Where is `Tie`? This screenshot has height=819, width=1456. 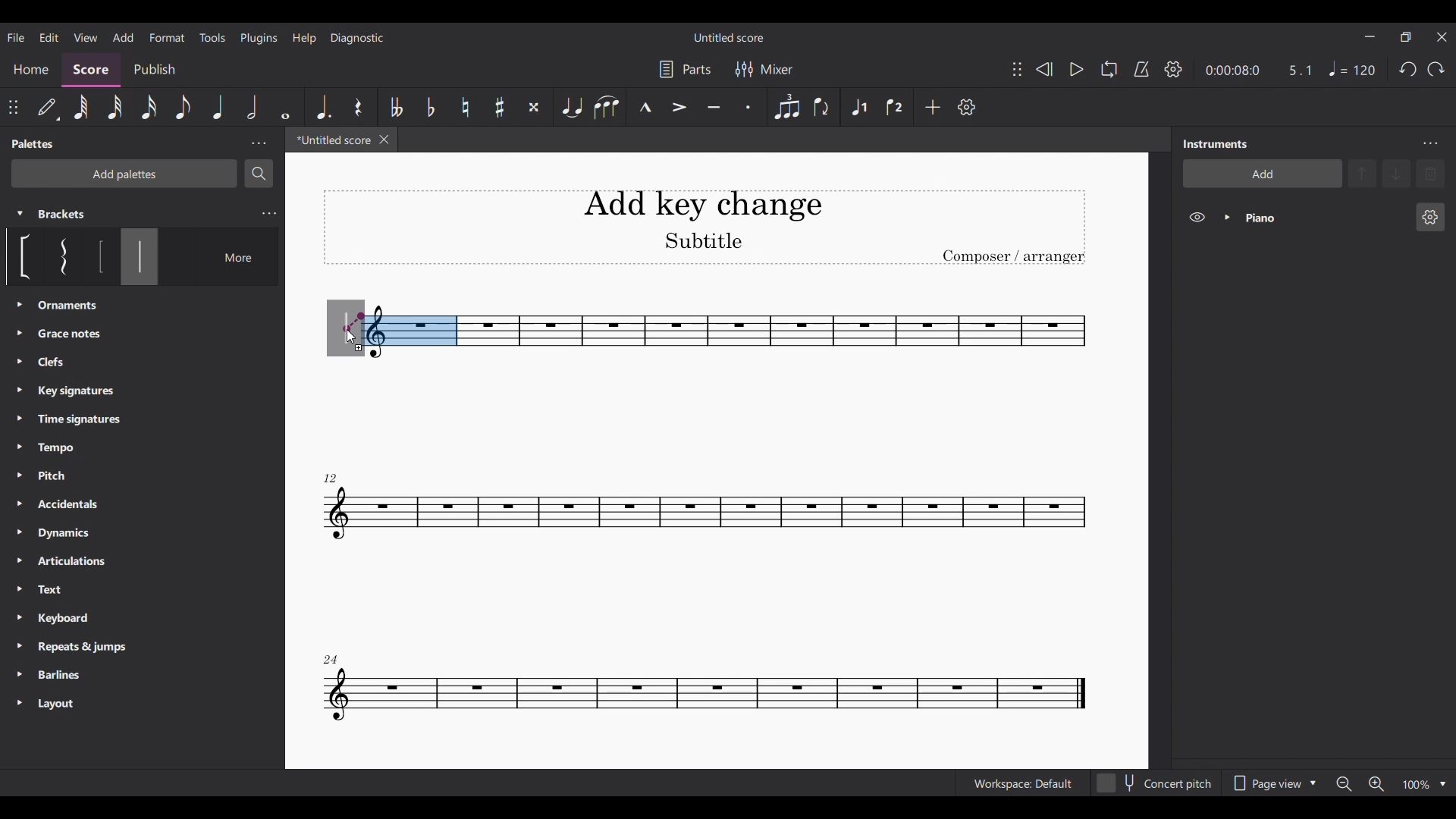 Tie is located at coordinates (573, 107).